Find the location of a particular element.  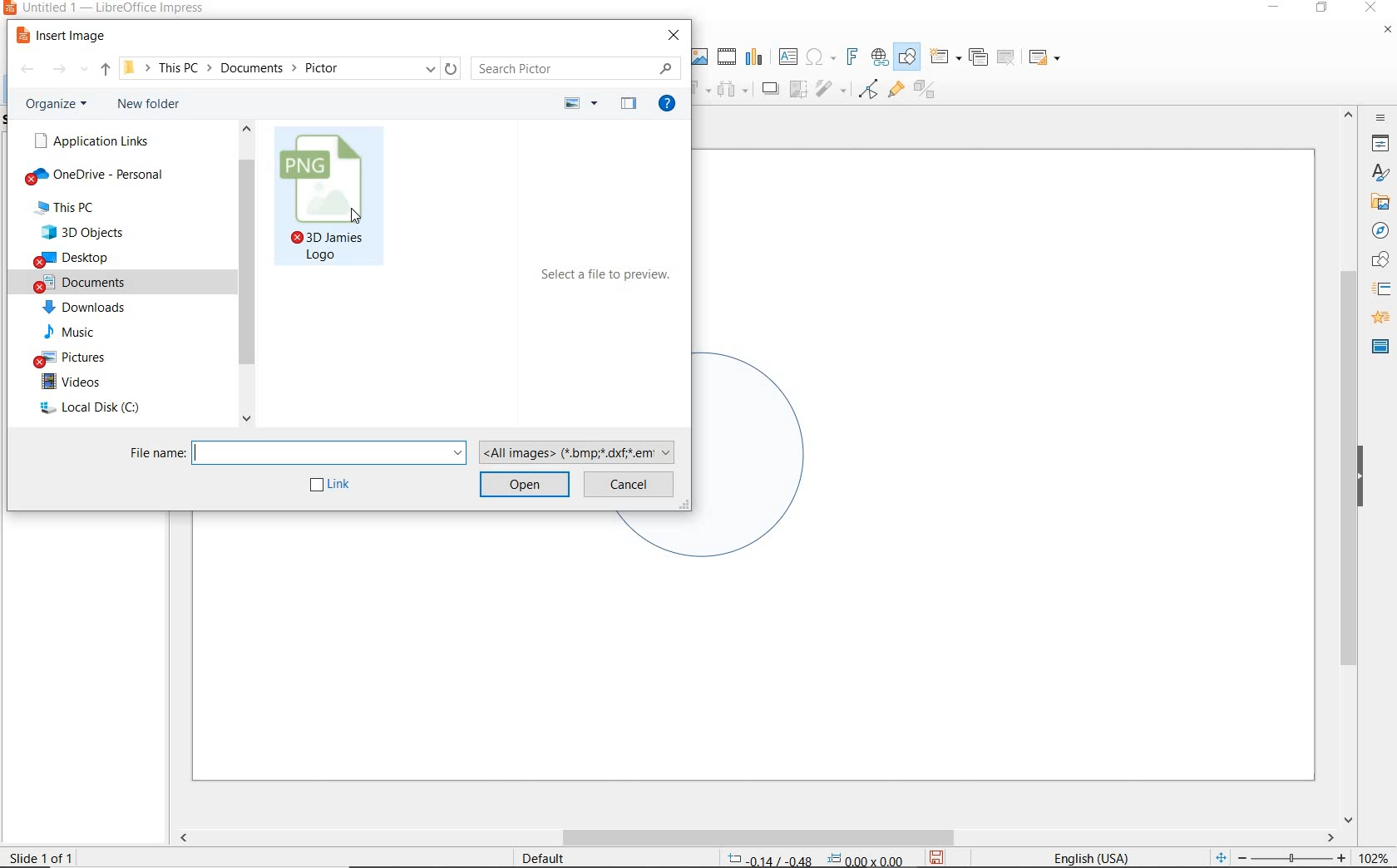

animation is located at coordinates (1378, 318).